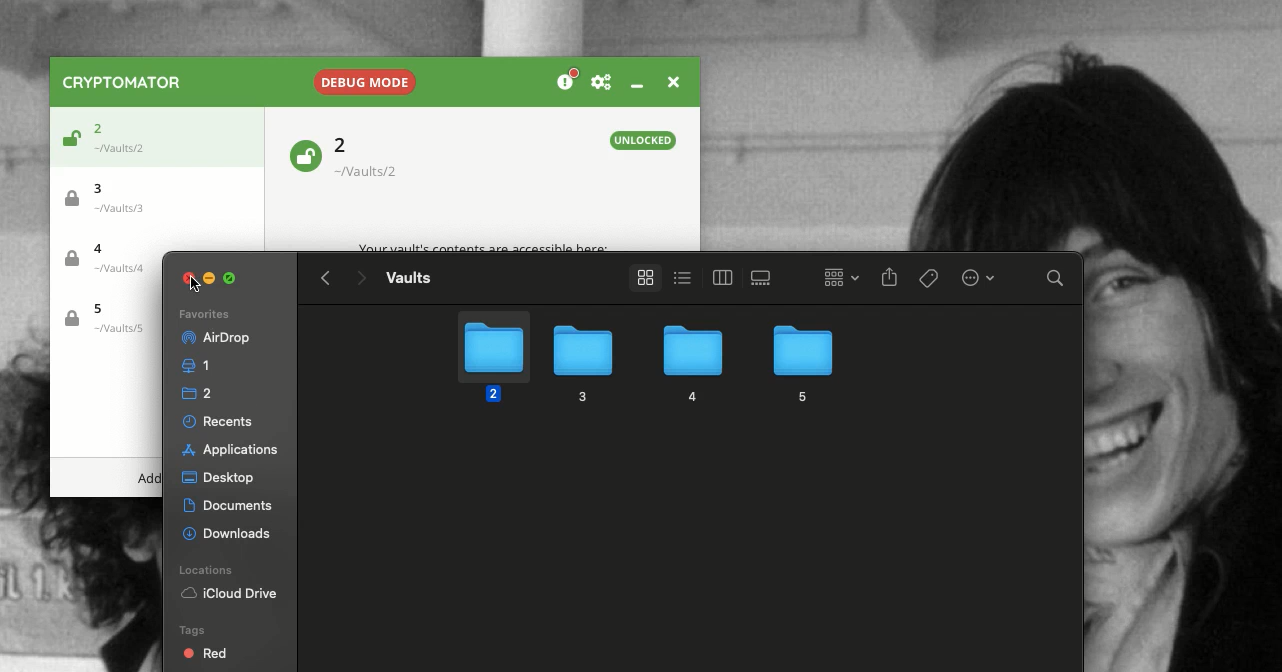 The width and height of the screenshot is (1282, 672). What do you see at coordinates (104, 319) in the screenshot?
I see `Vault 5` at bounding box center [104, 319].